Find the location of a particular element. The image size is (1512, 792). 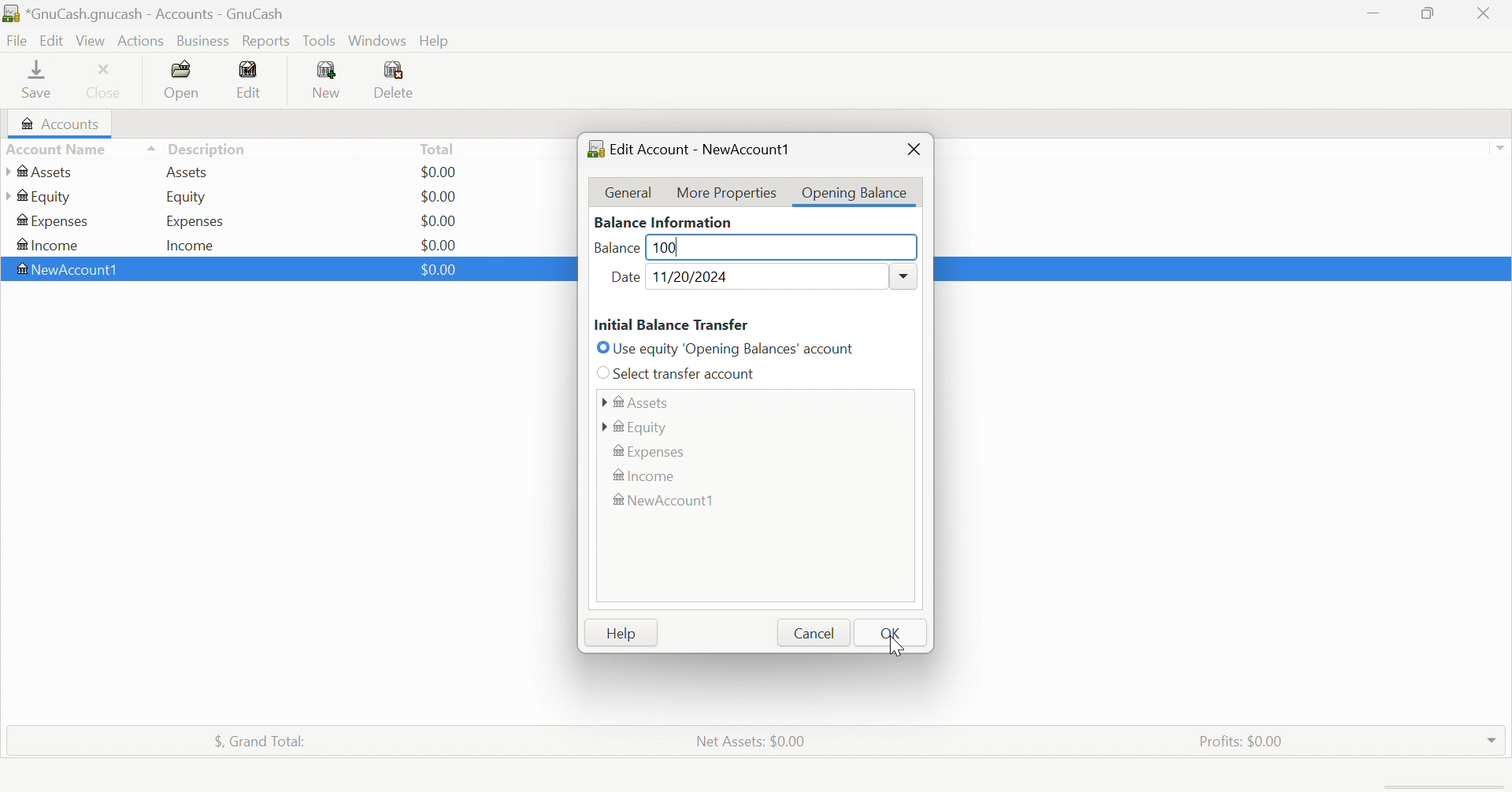

Assets is located at coordinates (43, 172).